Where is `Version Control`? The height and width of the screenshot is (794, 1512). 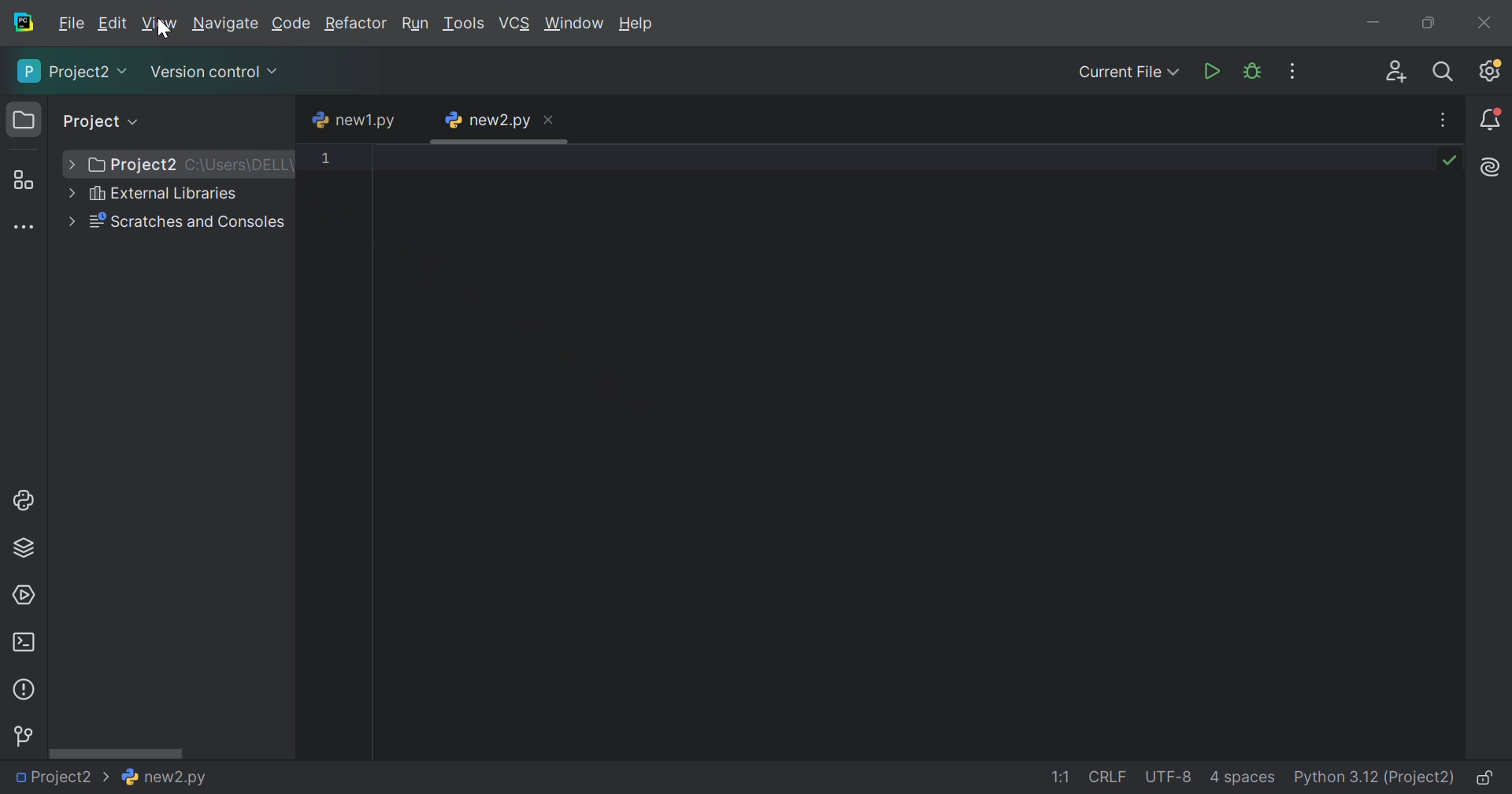 Version Control is located at coordinates (212, 71).